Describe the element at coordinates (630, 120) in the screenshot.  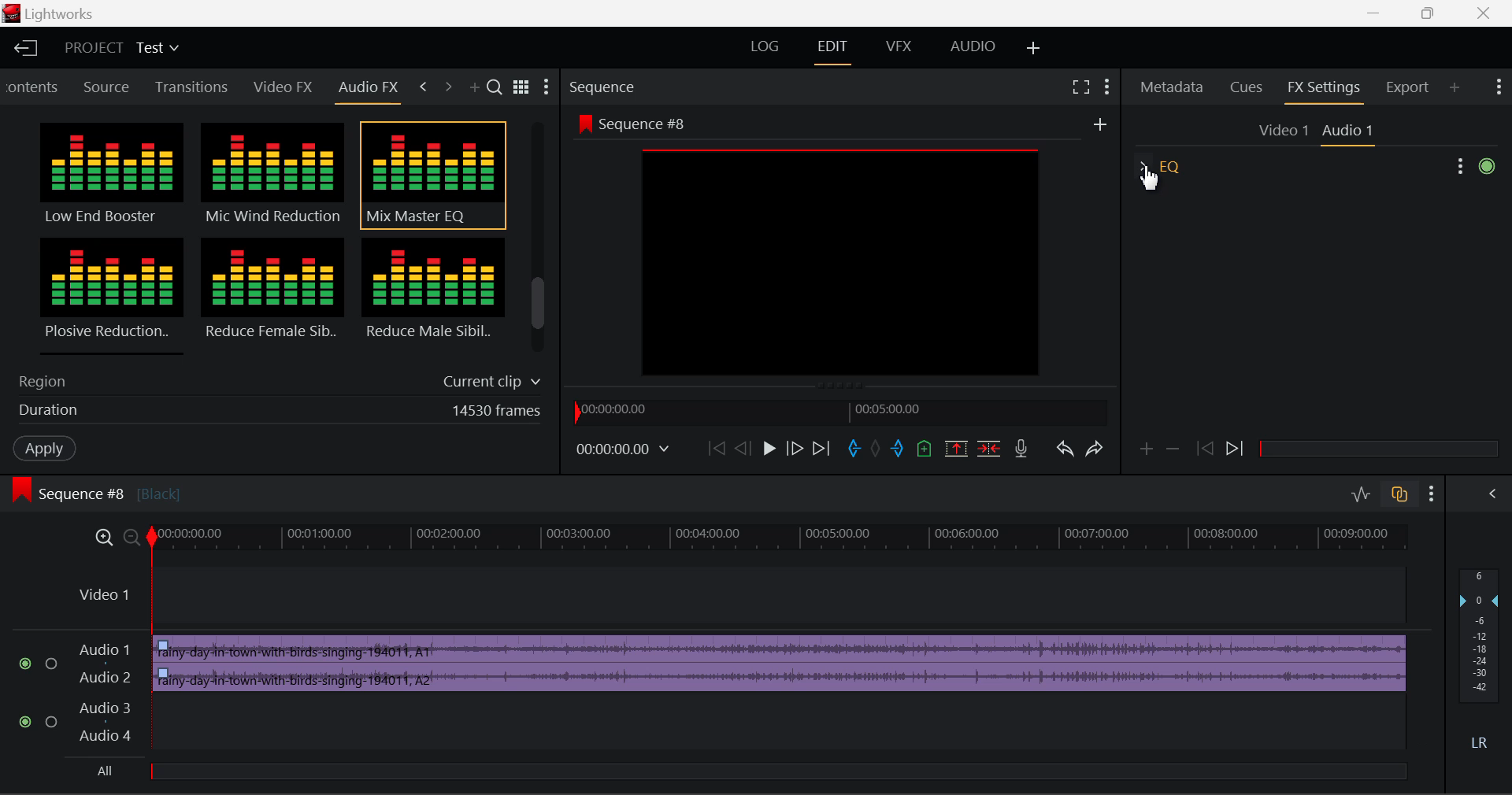
I see `Sequence #8 ` at that location.